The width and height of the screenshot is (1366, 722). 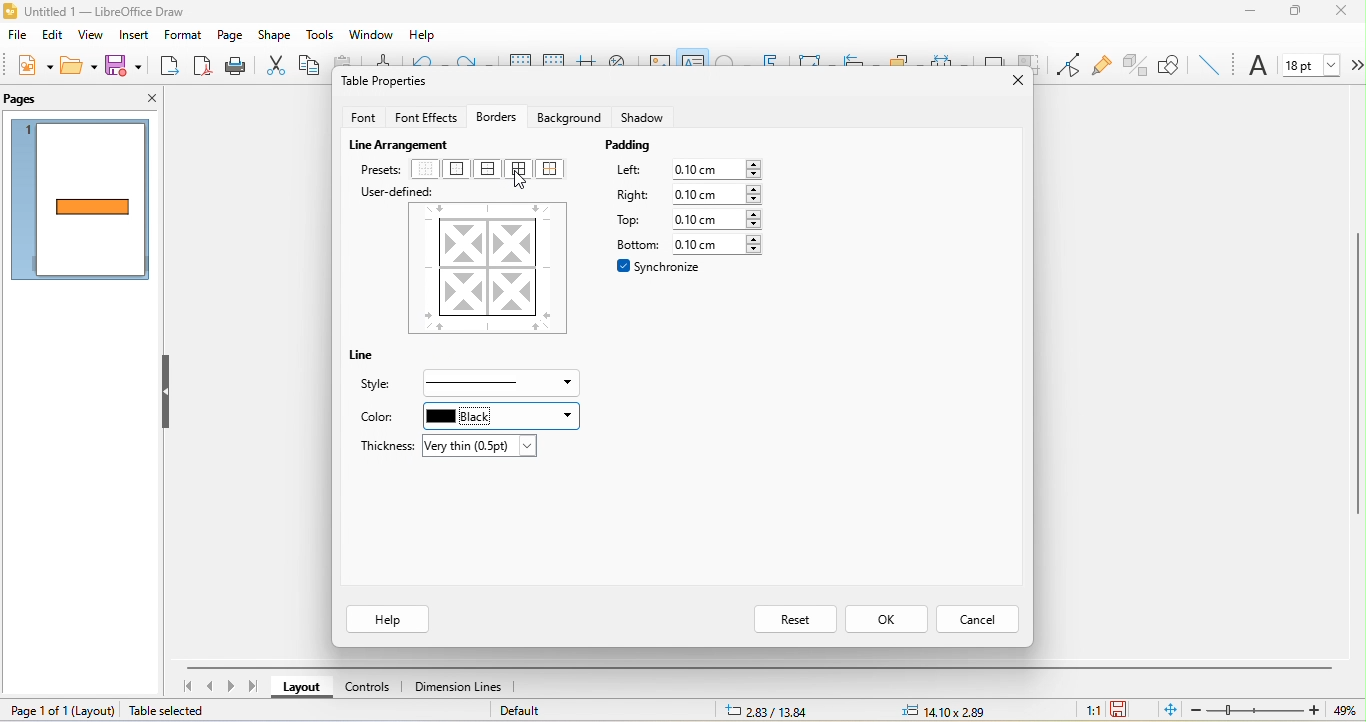 What do you see at coordinates (461, 170) in the screenshot?
I see `outer border only` at bounding box center [461, 170].